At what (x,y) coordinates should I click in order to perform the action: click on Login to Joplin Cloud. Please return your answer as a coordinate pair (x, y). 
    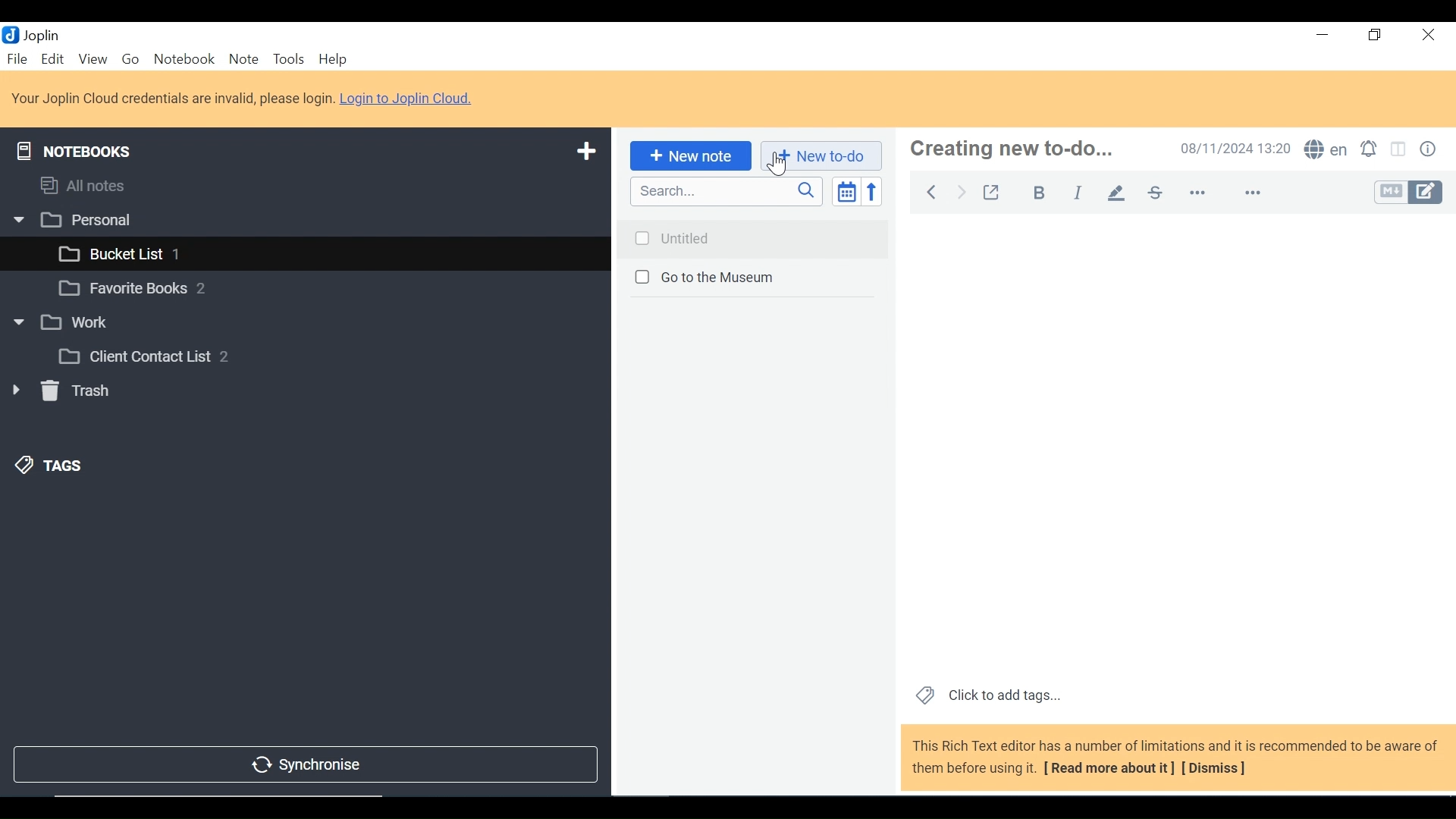
    Looking at the image, I should click on (243, 99).